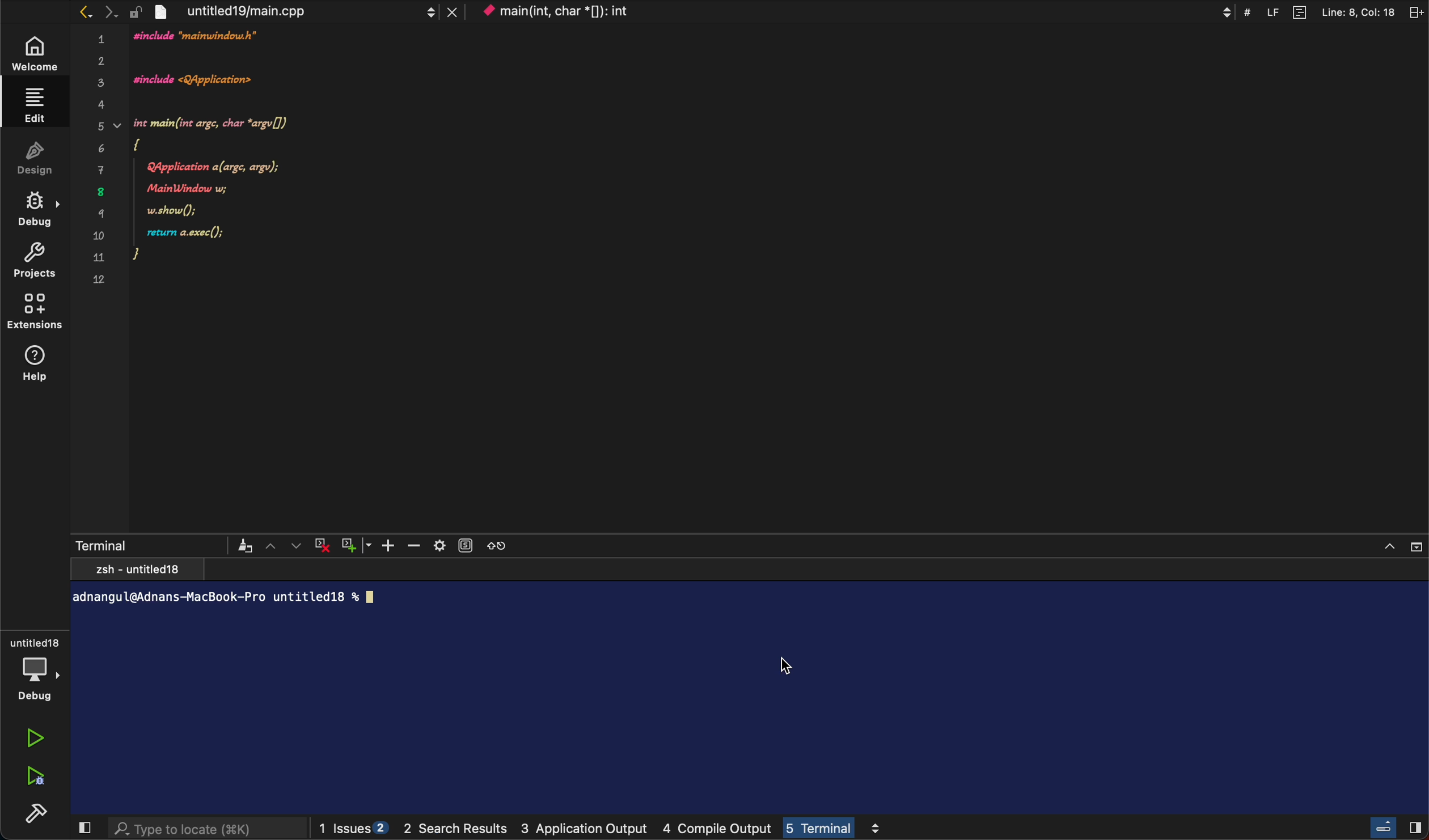 The width and height of the screenshot is (1429, 840). I want to click on code, so click(220, 157).